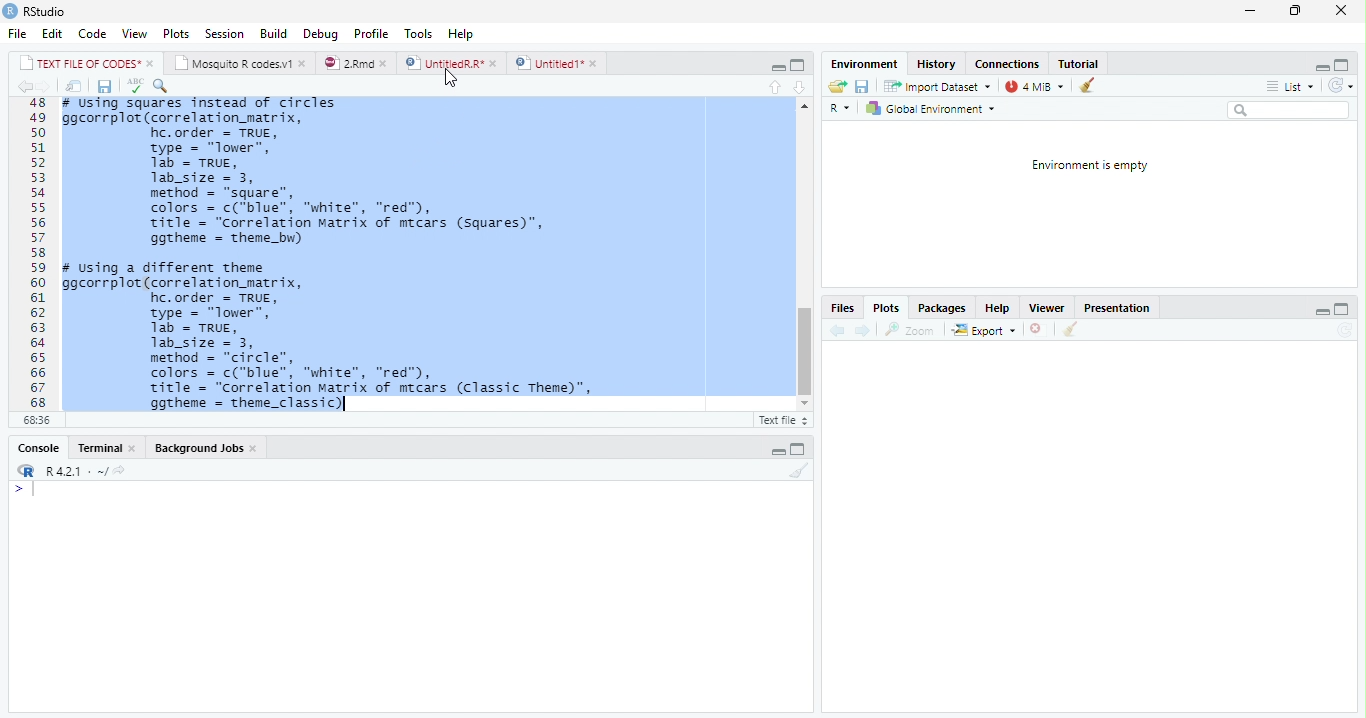 The height and width of the screenshot is (718, 1366). I want to click on Mosautto & cosesy, so click(244, 64).